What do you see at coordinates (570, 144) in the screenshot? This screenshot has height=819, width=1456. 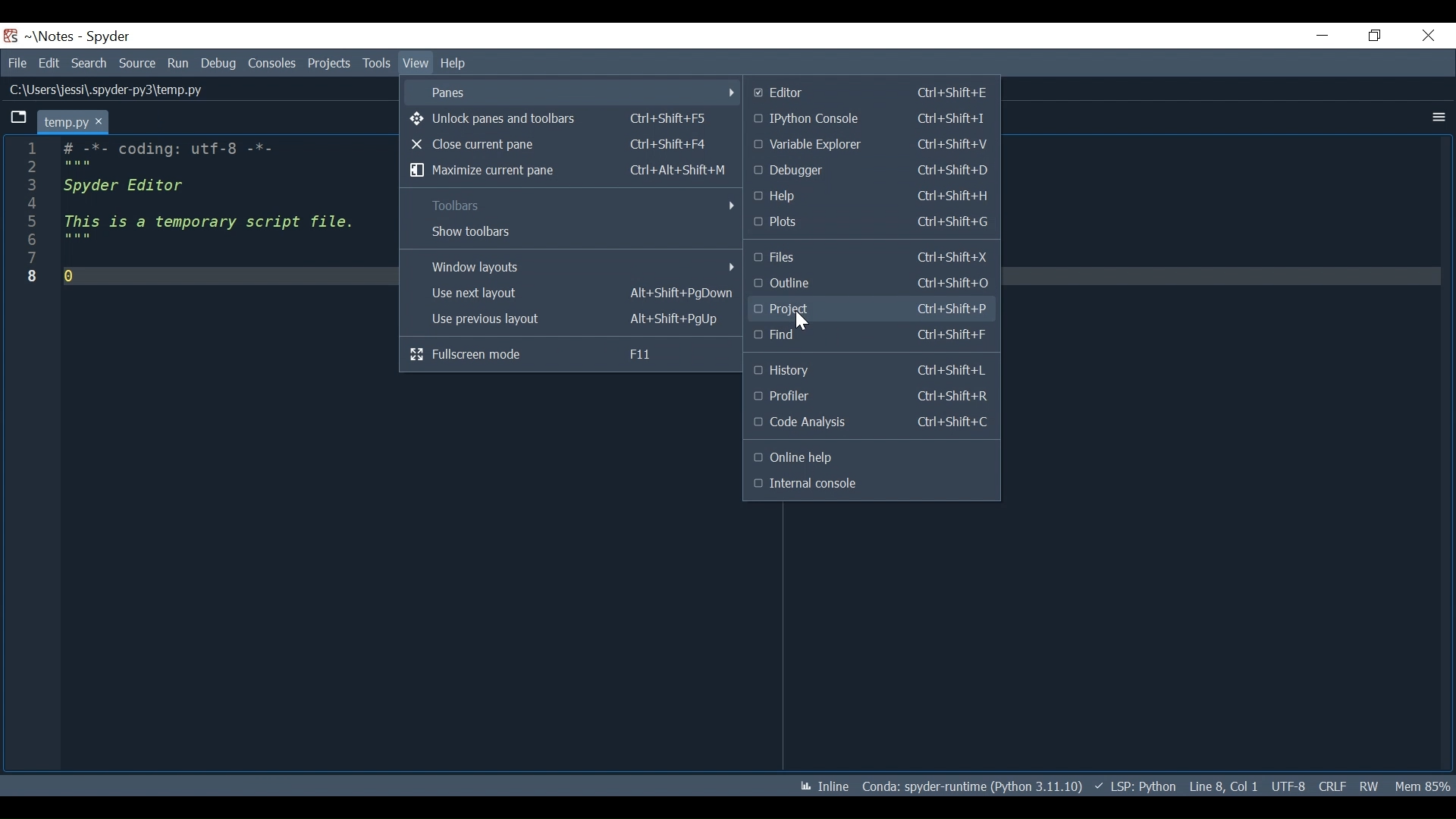 I see `Close current pane` at bounding box center [570, 144].